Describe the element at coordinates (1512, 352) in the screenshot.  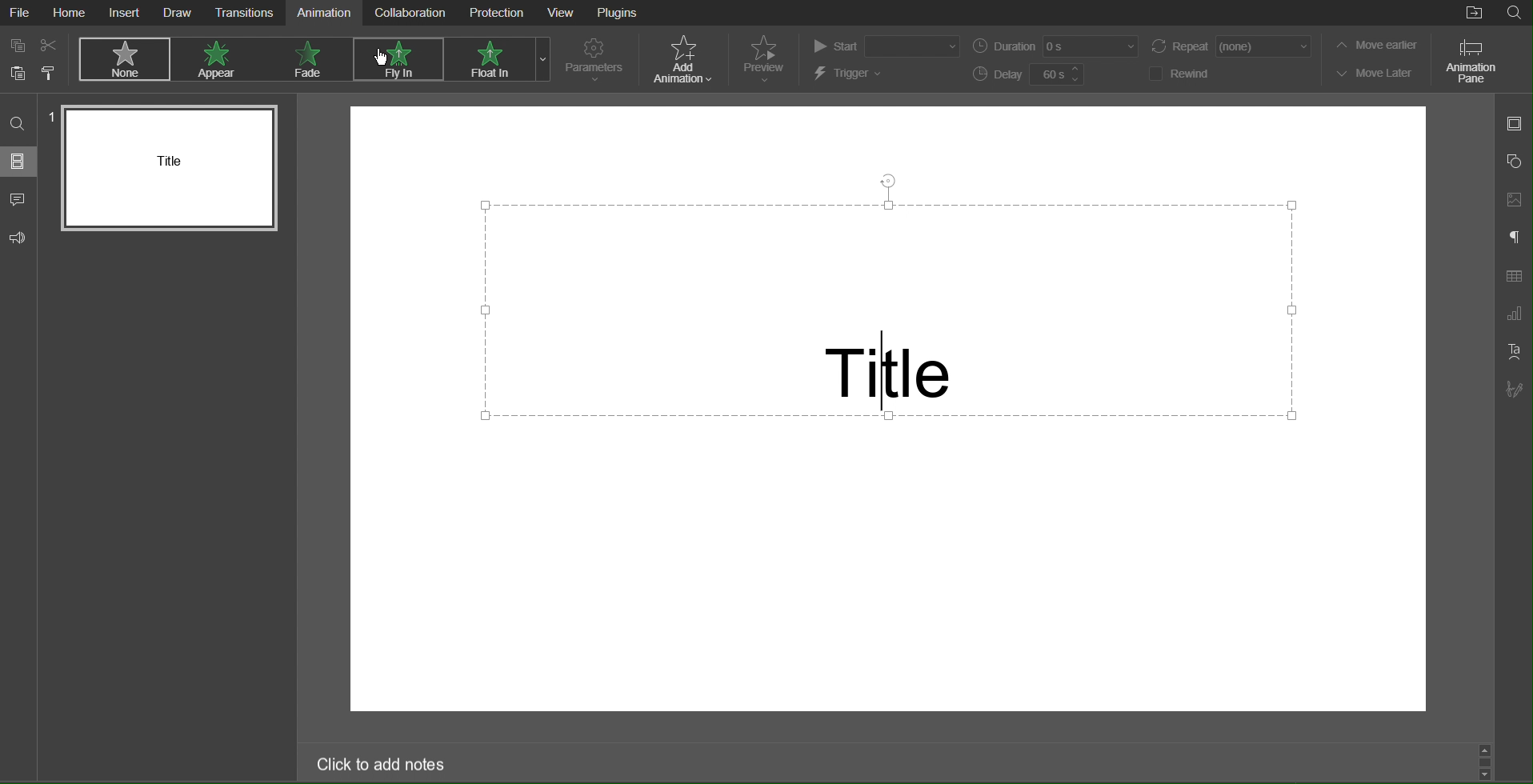
I see `TextArt` at that location.